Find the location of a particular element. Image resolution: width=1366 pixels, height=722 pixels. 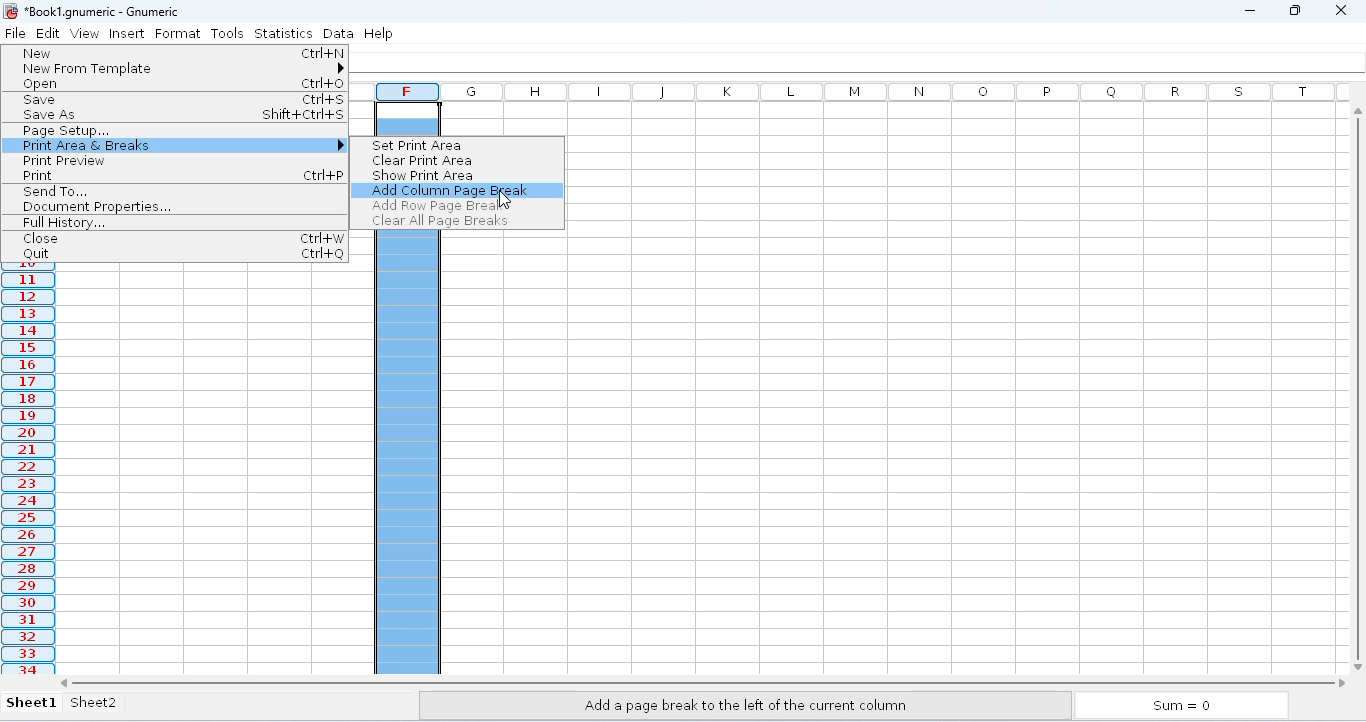

add column page break is located at coordinates (450, 191).